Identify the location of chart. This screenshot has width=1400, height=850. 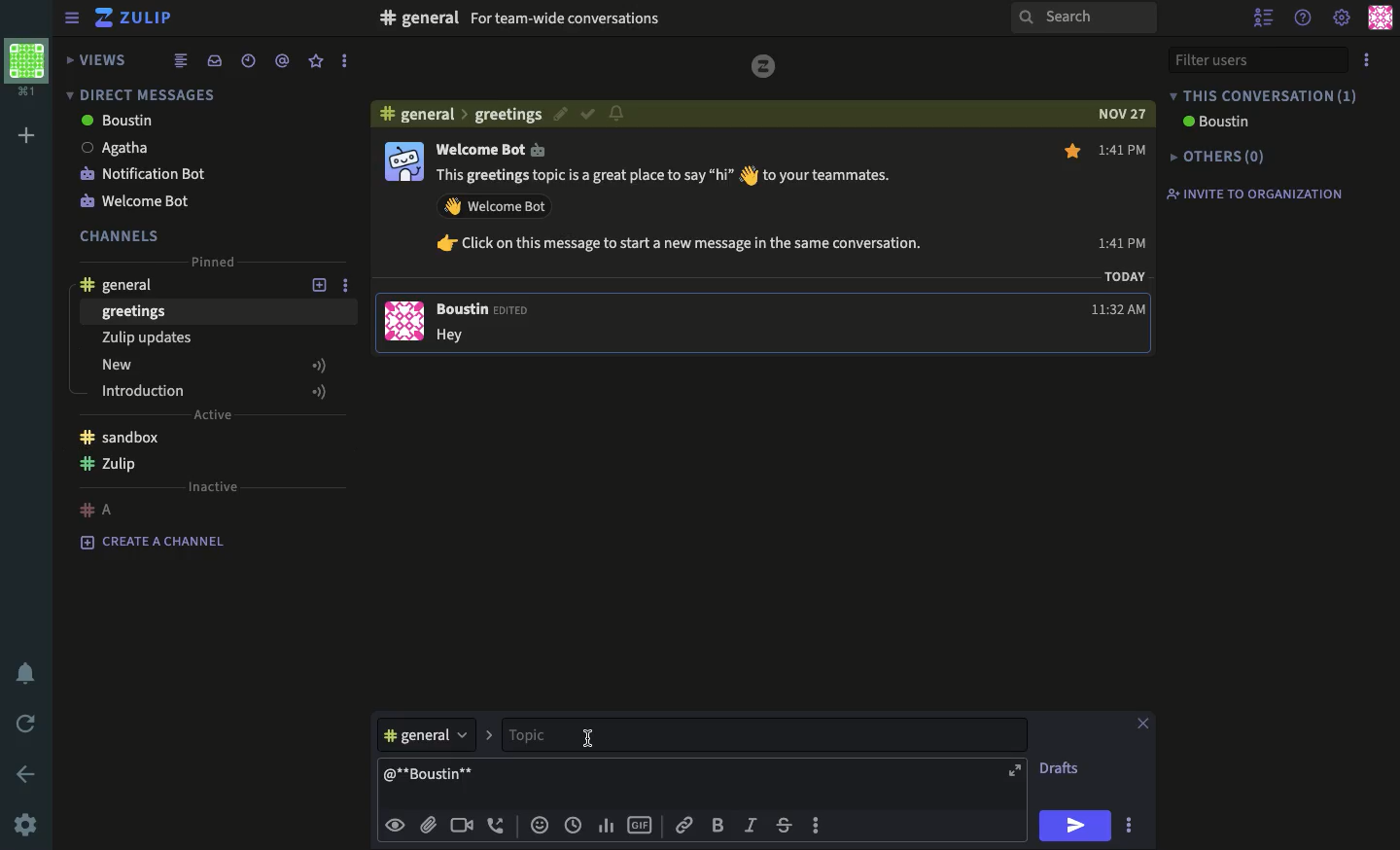
(609, 826).